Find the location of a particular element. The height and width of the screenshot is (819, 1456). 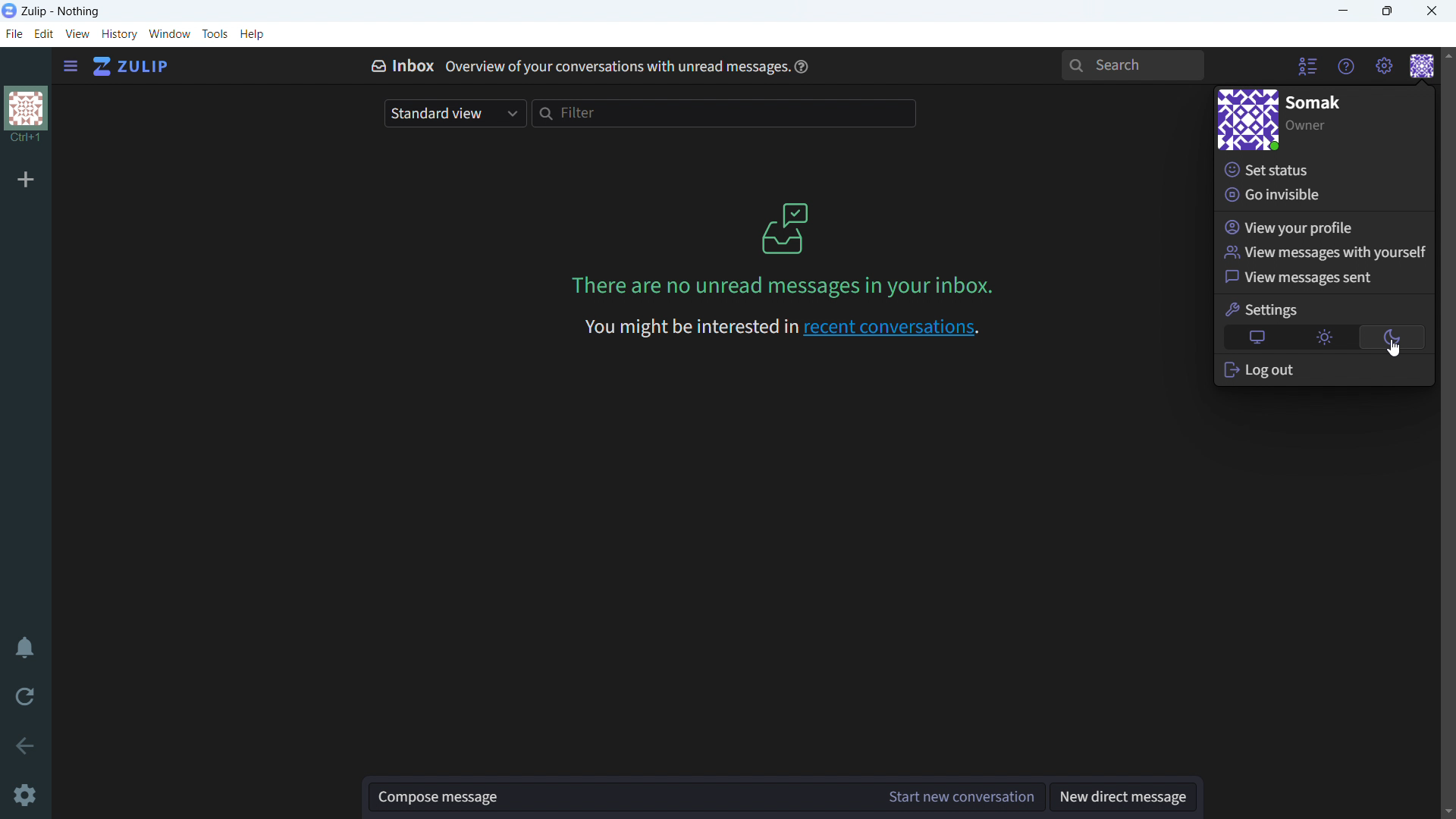

edit is located at coordinates (44, 34).